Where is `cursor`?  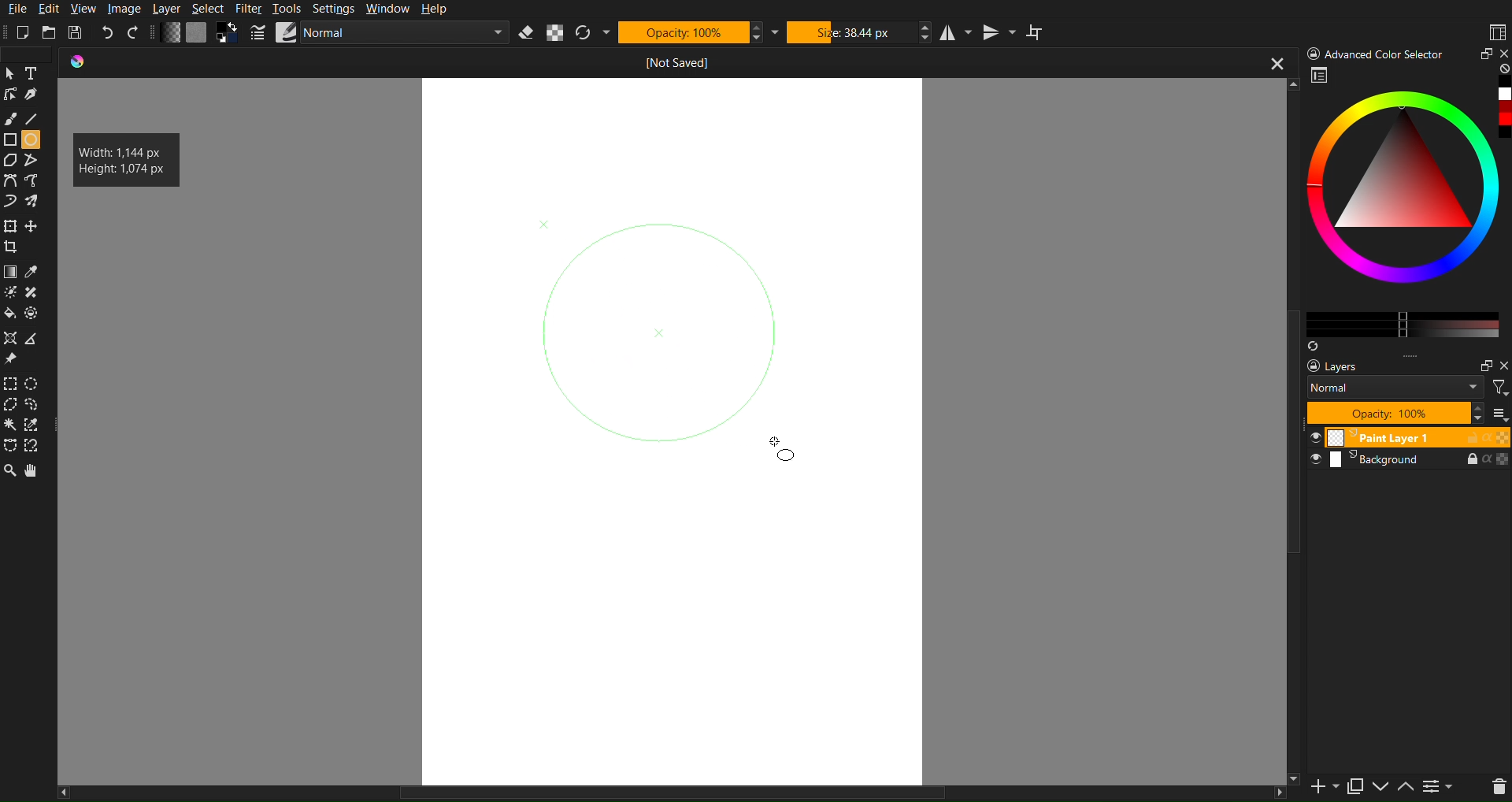
cursor is located at coordinates (9, 72).